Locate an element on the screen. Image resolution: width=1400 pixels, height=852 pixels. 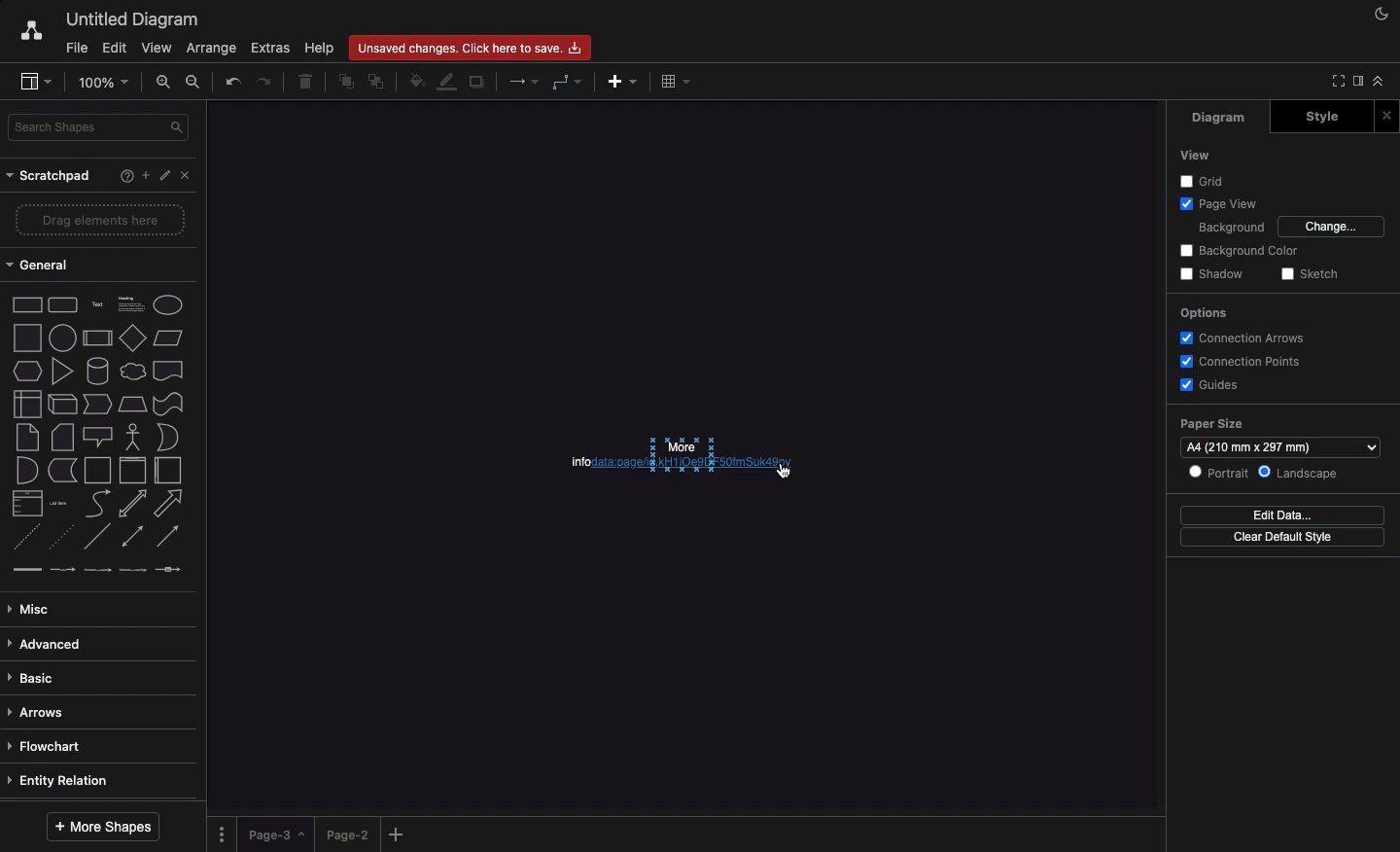
step is located at coordinates (97, 404).